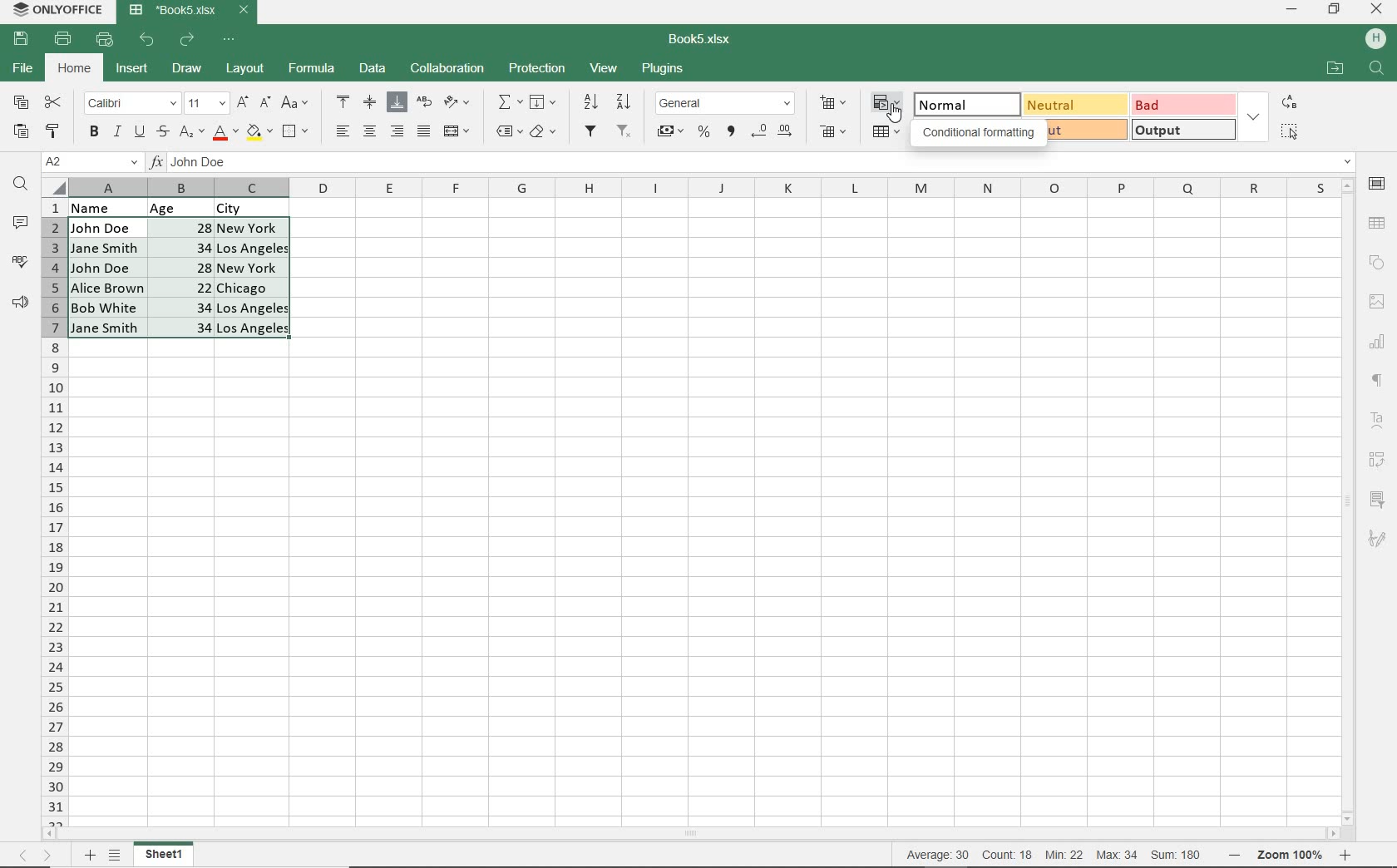  What do you see at coordinates (1377, 69) in the screenshot?
I see `Search` at bounding box center [1377, 69].